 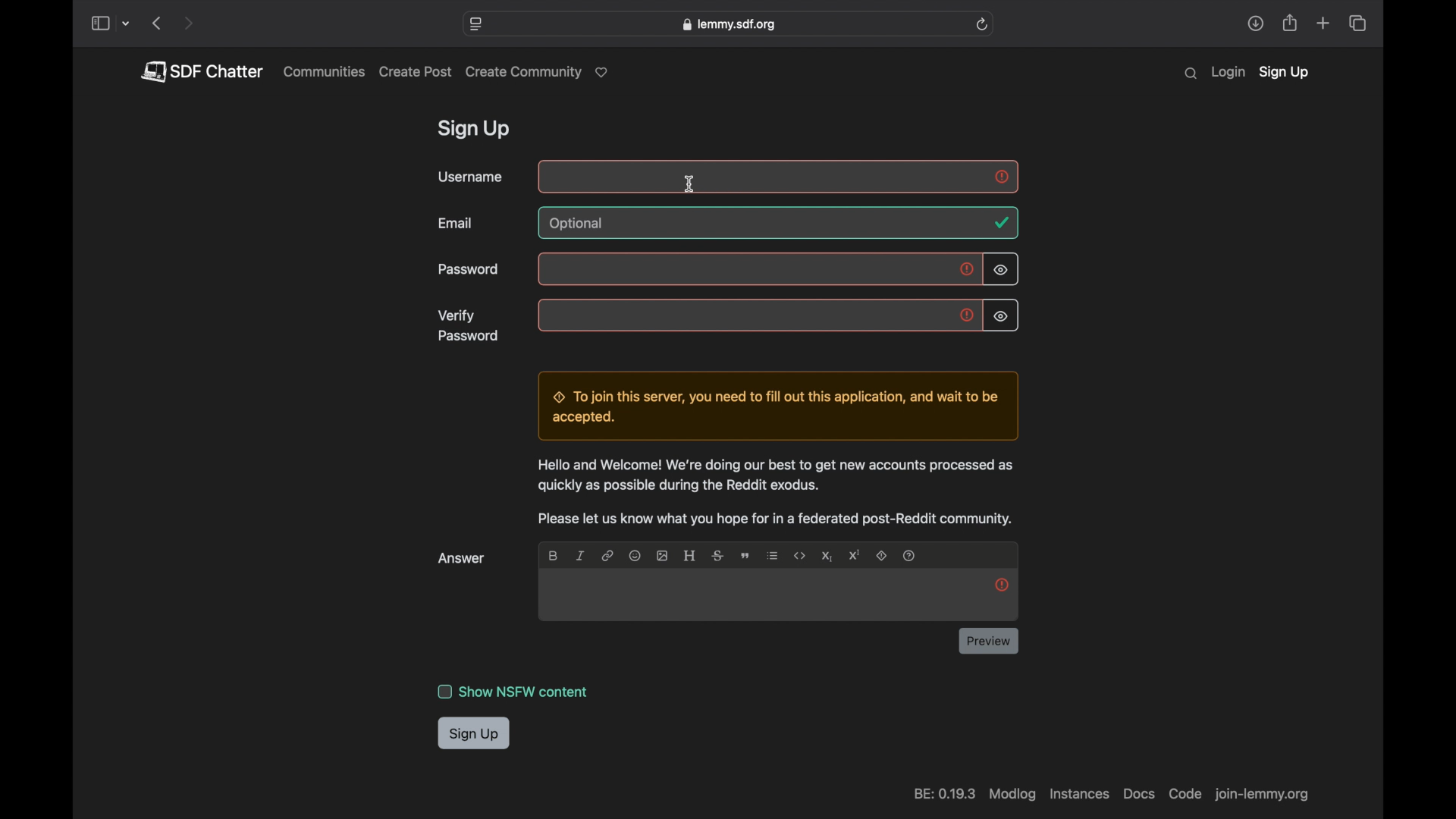 I want to click on dialogue box, so click(x=774, y=406).